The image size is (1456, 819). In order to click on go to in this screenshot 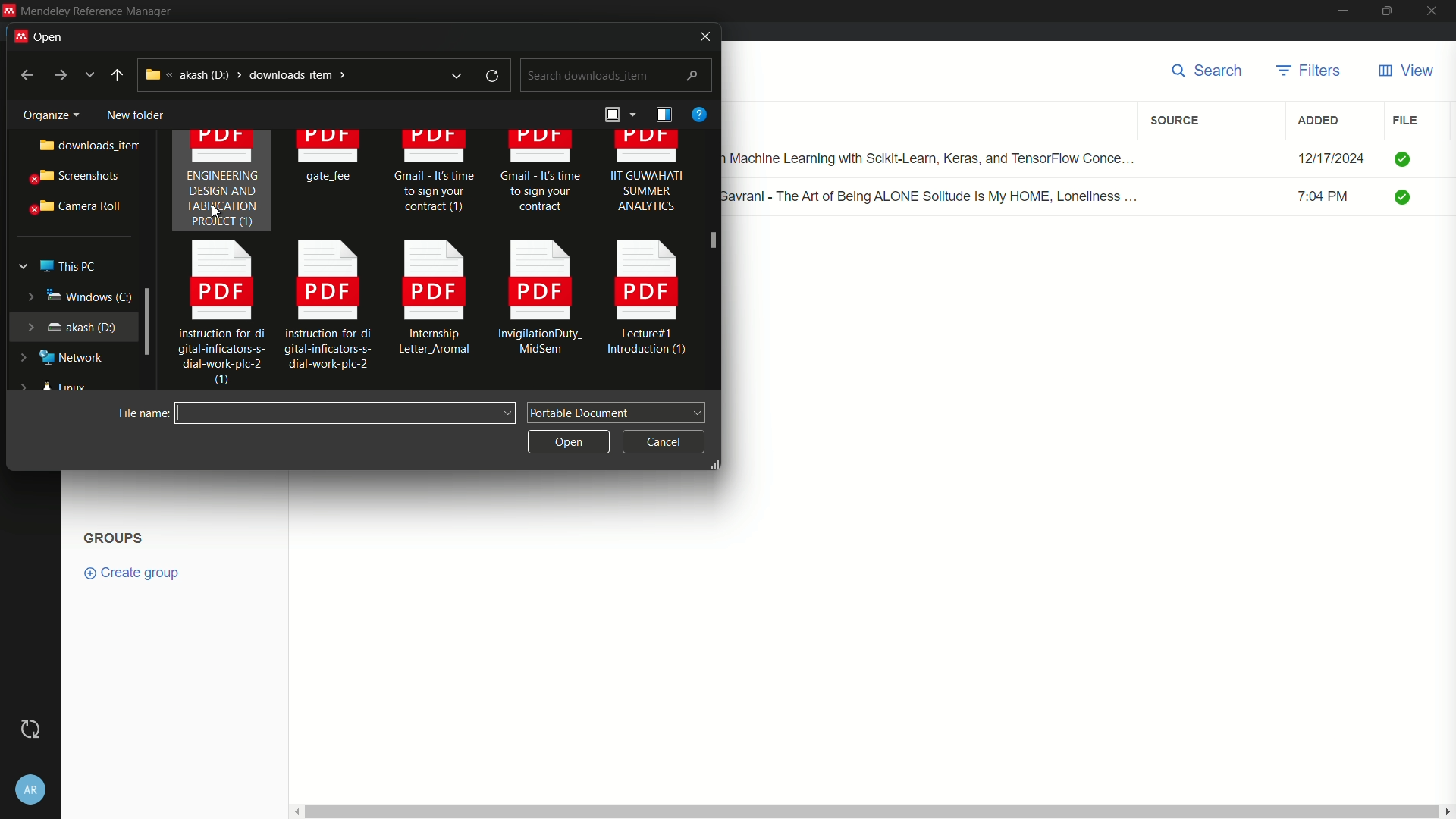, I will do `click(59, 76)`.